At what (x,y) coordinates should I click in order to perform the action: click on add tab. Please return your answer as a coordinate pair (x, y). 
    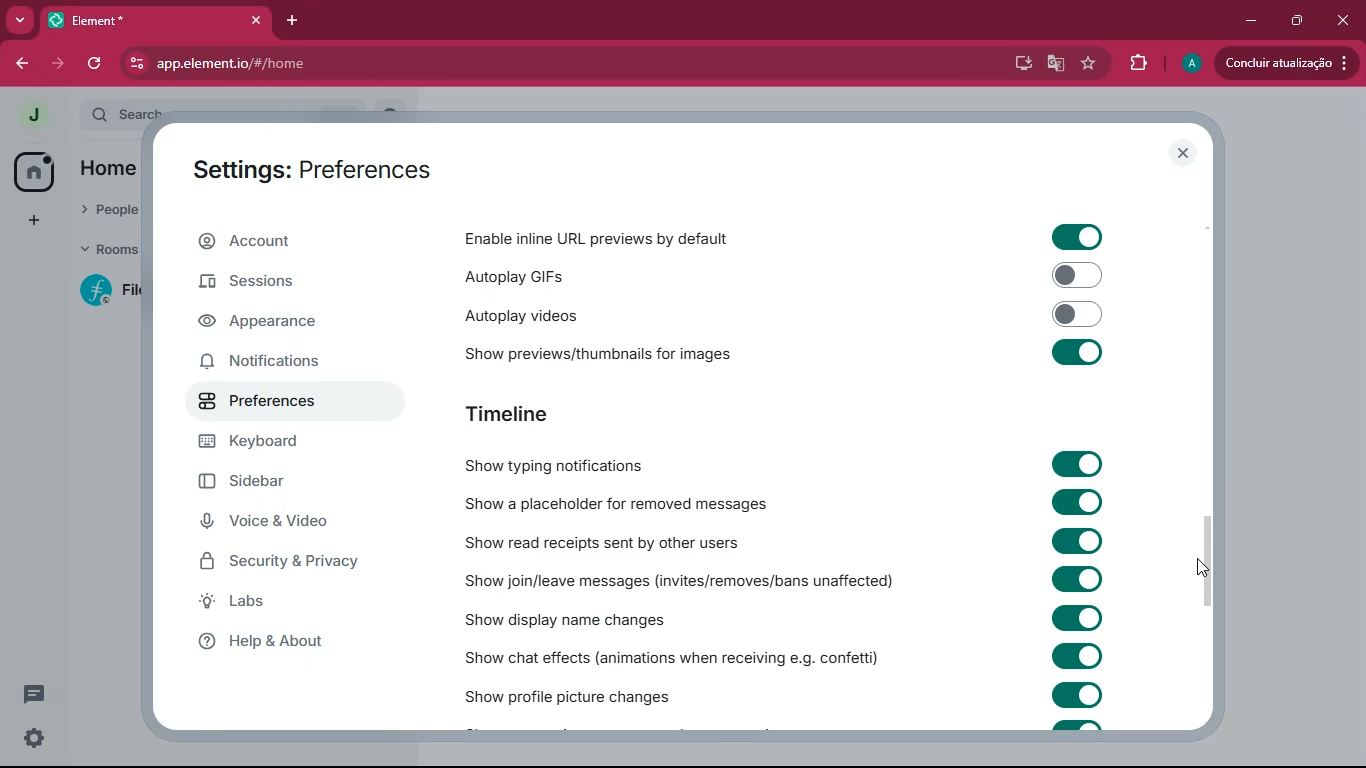
    Looking at the image, I should click on (294, 20).